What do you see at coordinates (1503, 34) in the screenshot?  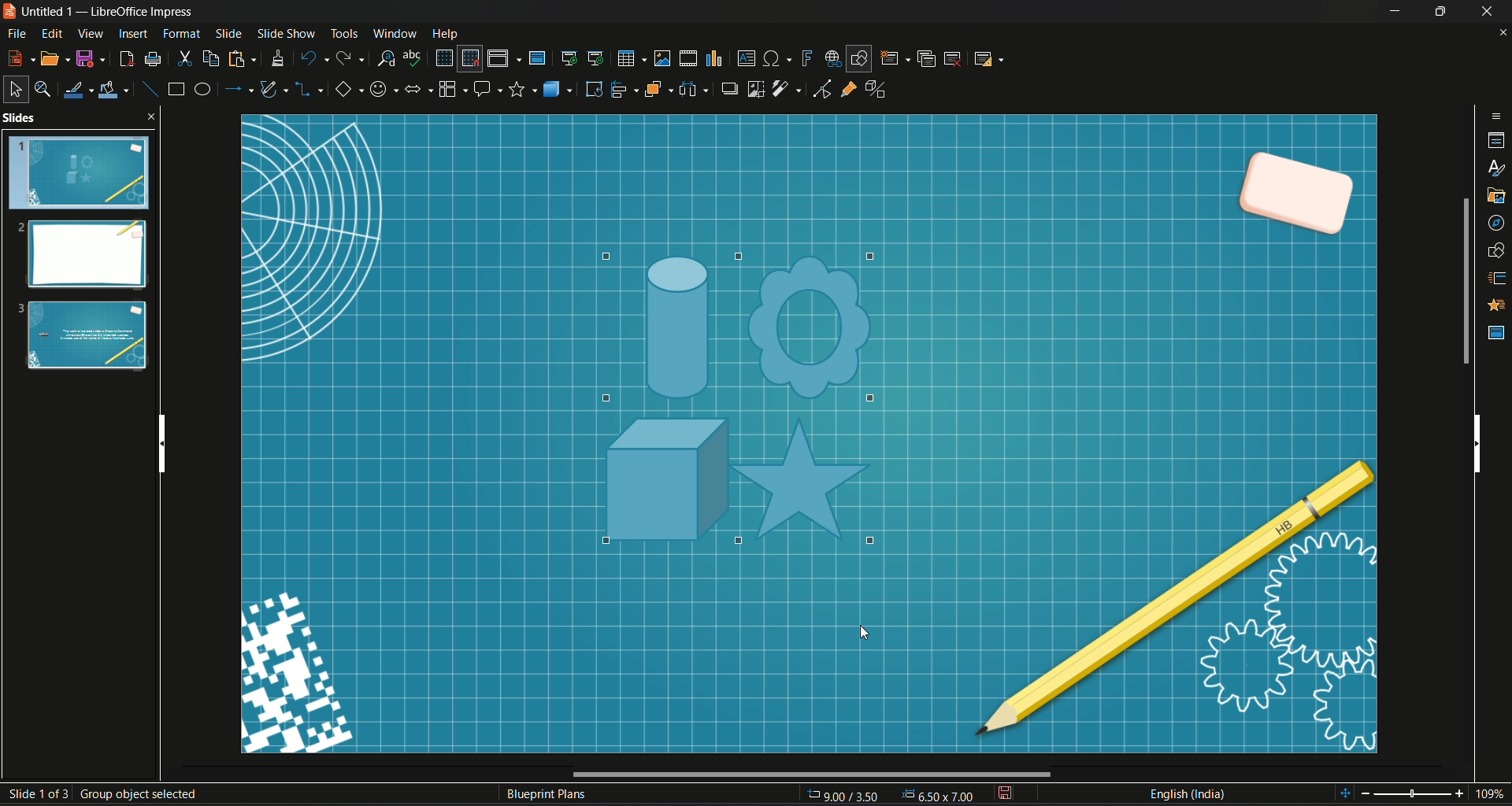 I see `close` at bounding box center [1503, 34].